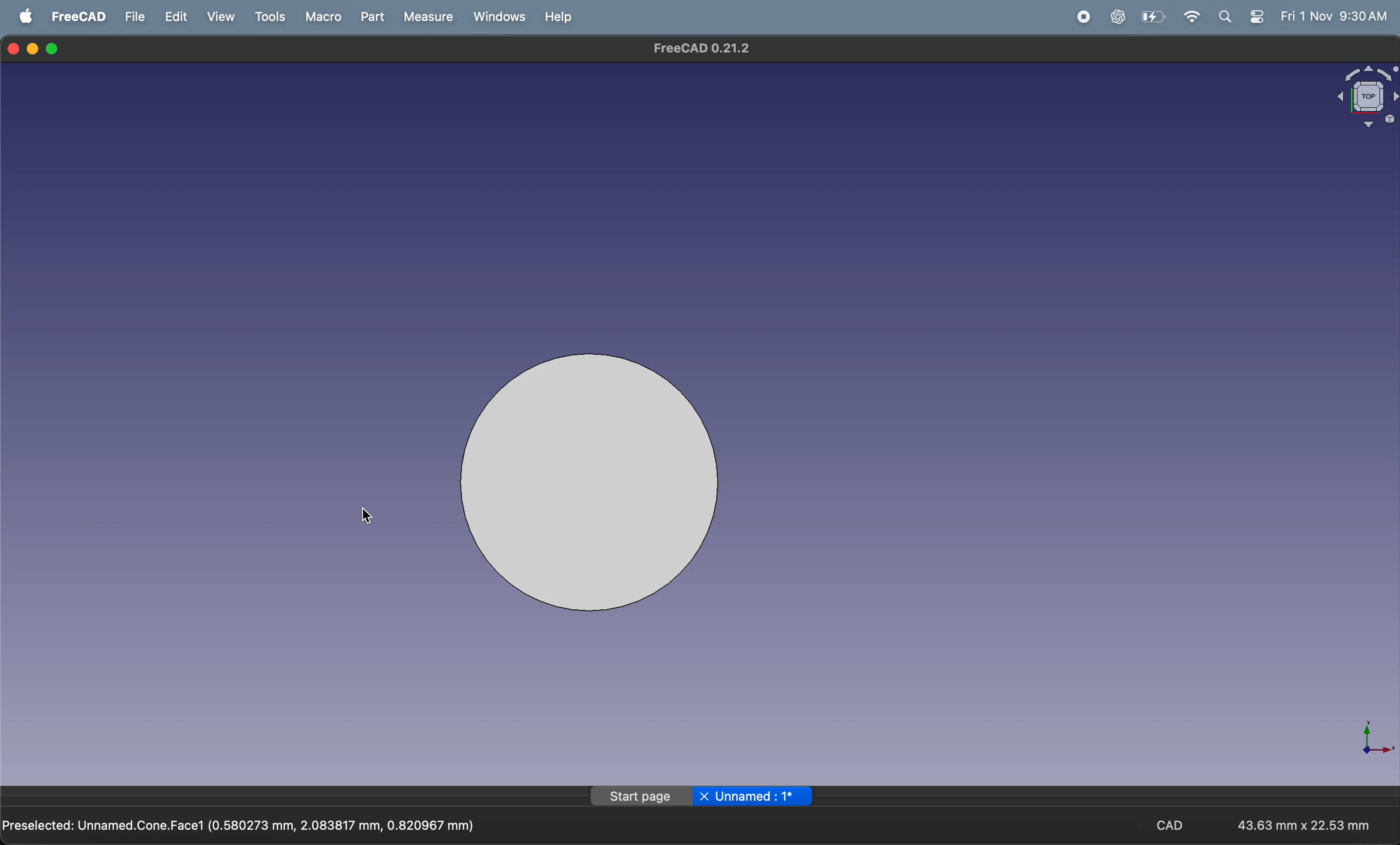 The image size is (1400, 845). What do you see at coordinates (35, 48) in the screenshot?
I see `minimize` at bounding box center [35, 48].